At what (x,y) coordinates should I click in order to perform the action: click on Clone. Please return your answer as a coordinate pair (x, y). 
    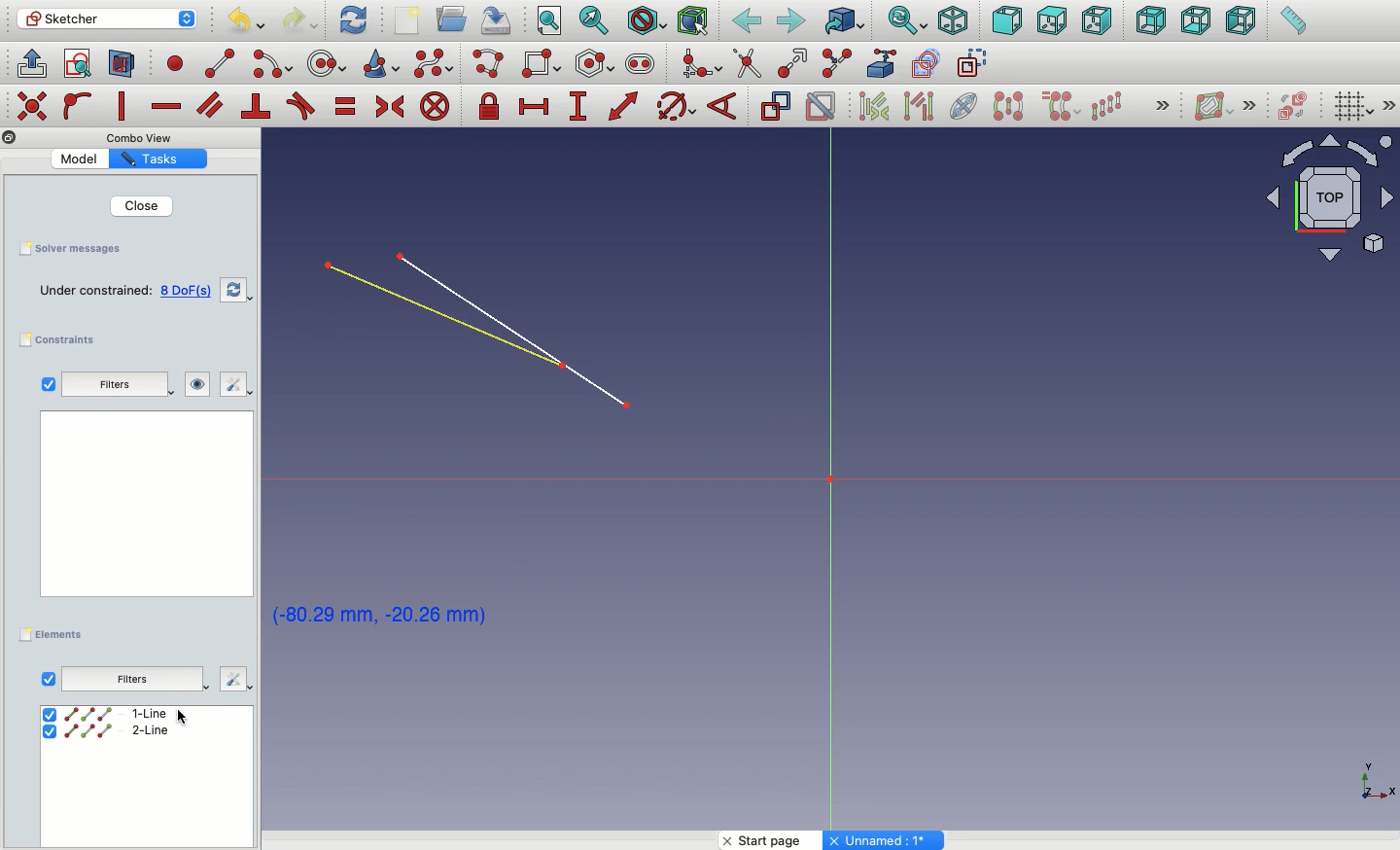
    Looking at the image, I should click on (1063, 108).